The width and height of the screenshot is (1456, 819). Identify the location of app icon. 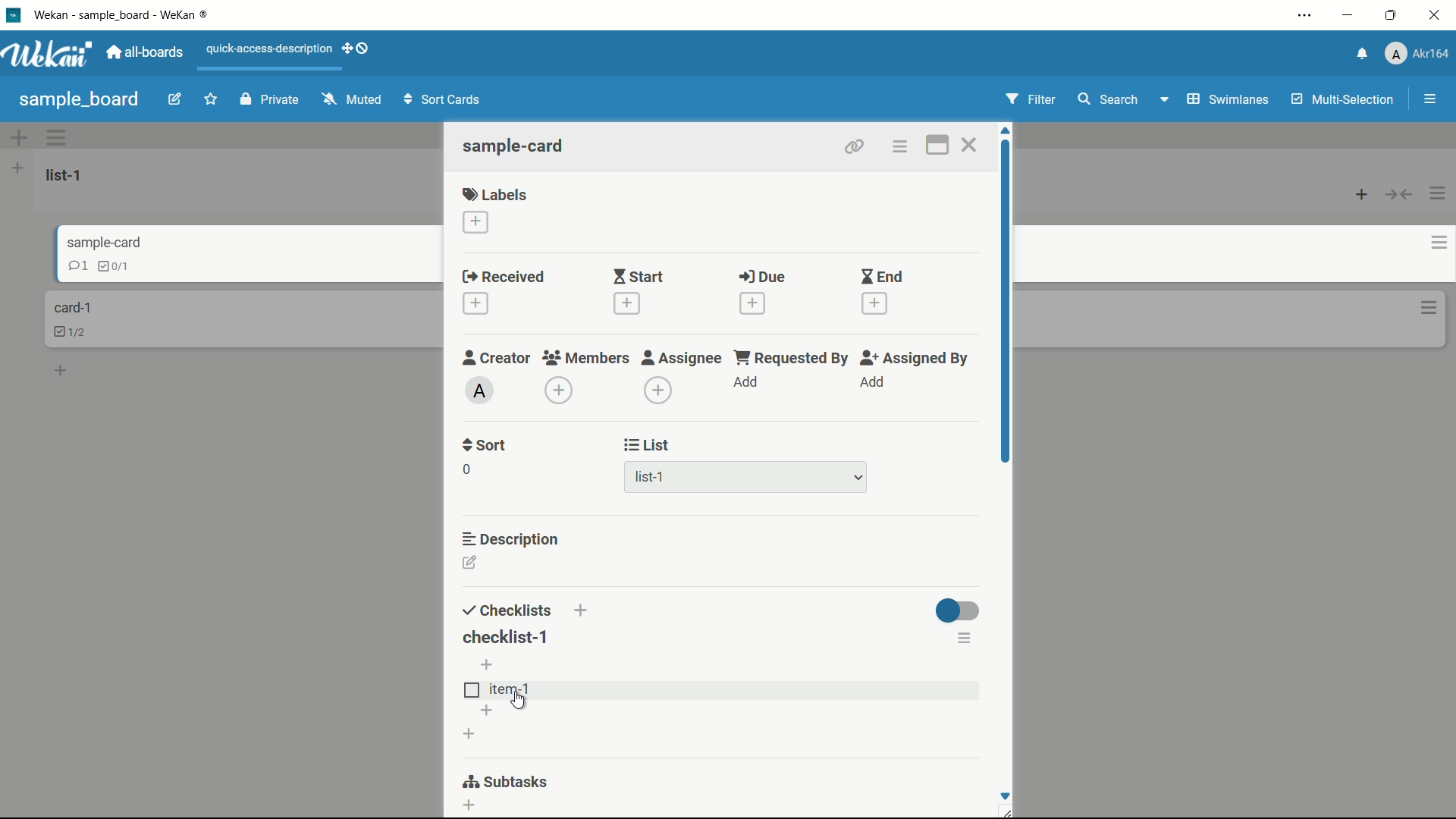
(15, 14).